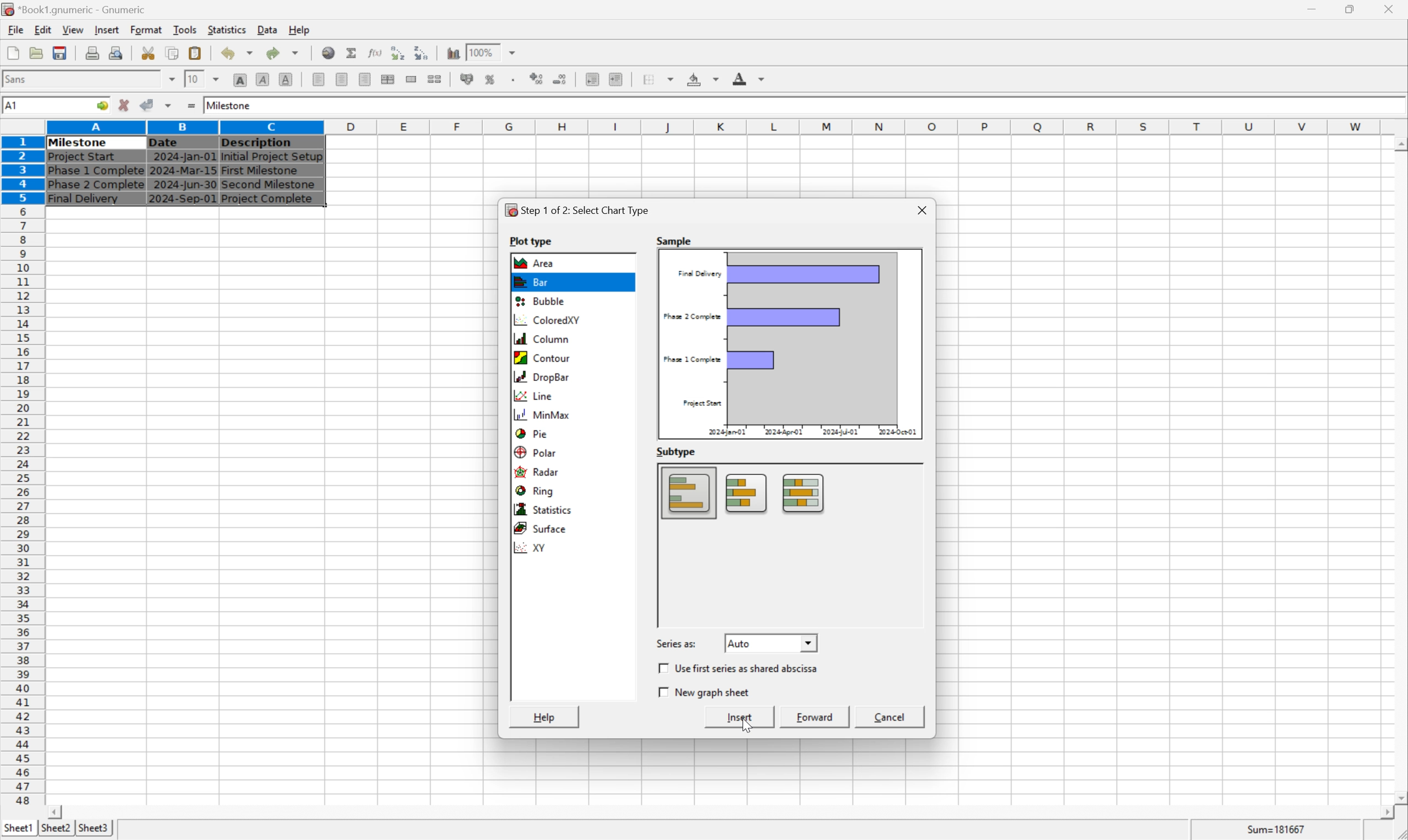 Image resolution: width=1408 pixels, height=840 pixels. Describe the element at coordinates (186, 29) in the screenshot. I see `tools` at that location.